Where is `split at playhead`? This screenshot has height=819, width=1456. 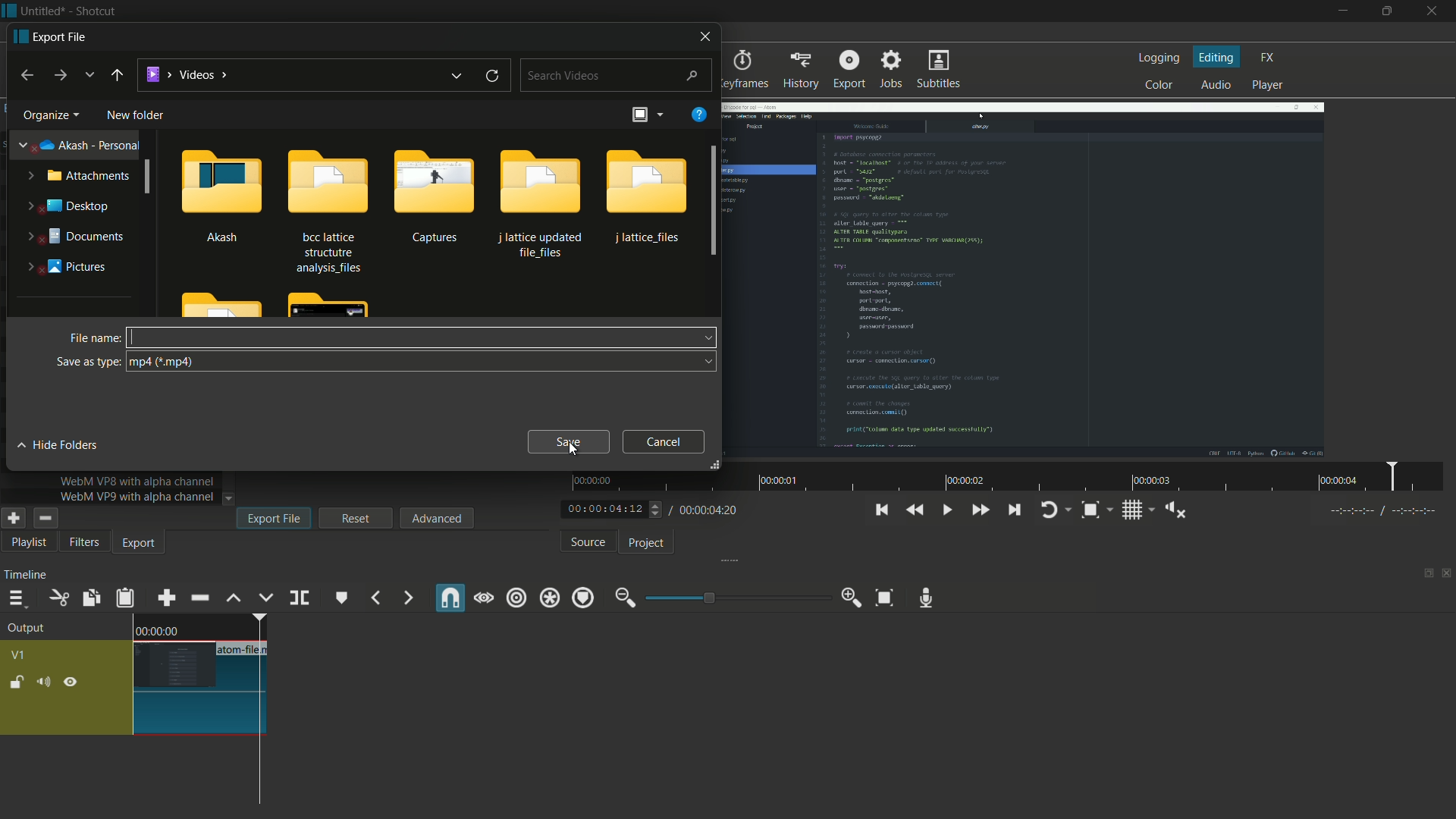
split at playhead is located at coordinates (300, 597).